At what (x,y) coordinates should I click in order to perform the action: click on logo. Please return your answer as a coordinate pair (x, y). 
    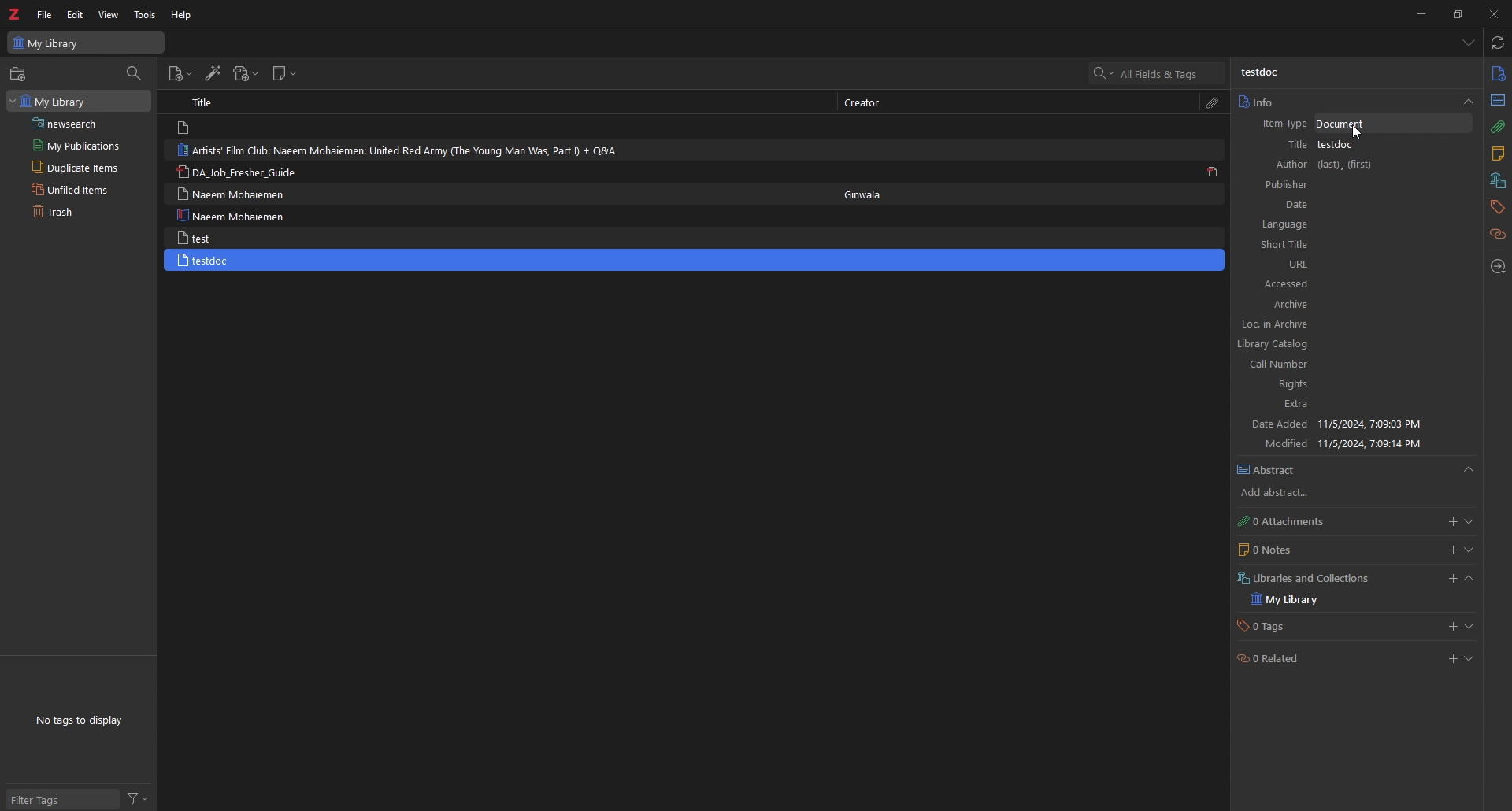
    Looking at the image, I should click on (15, 13).